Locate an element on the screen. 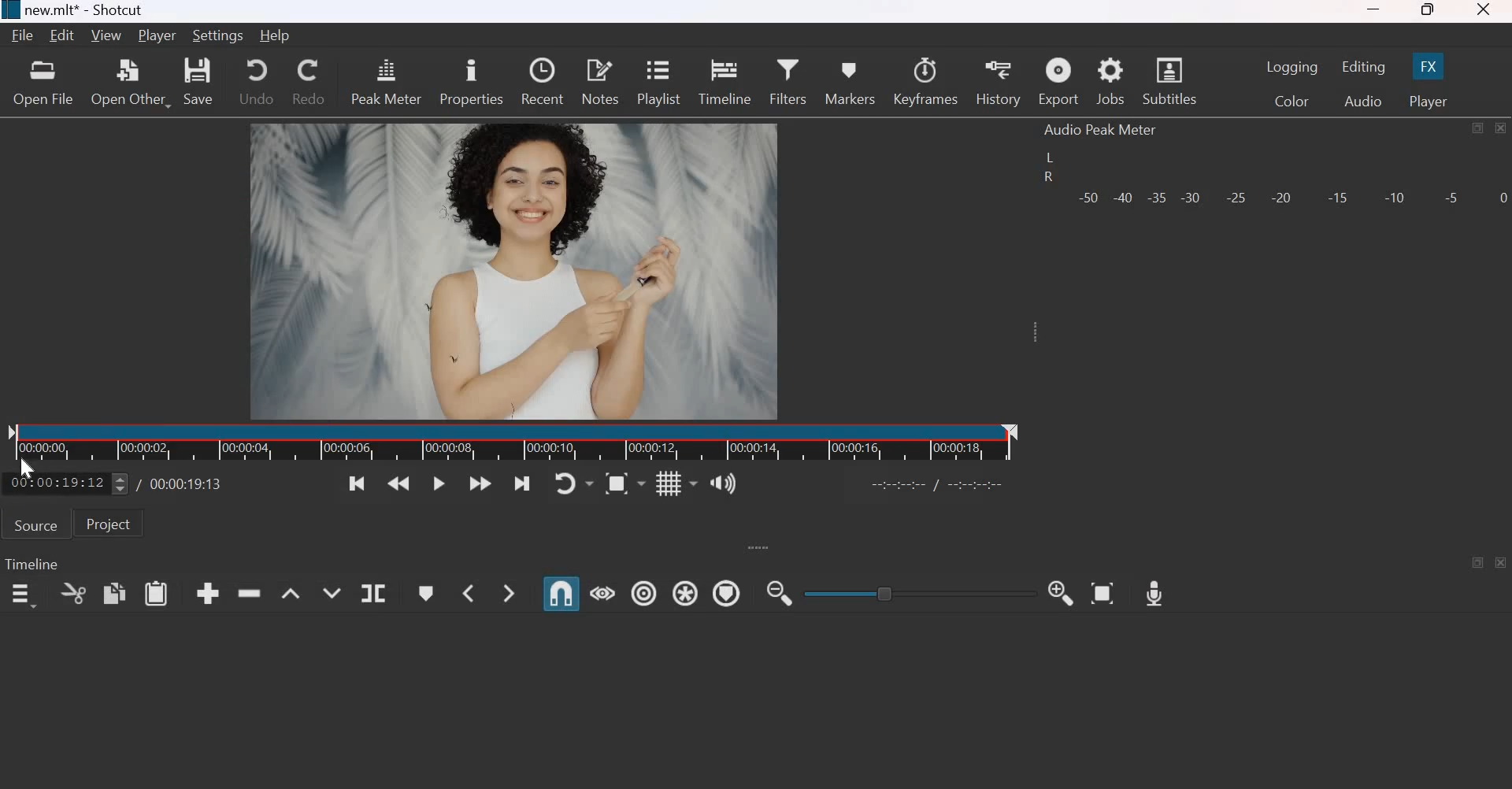 Image resolution: width=1512 pixels, height=789 pixels. new.mlt - Shotcut is located at coordinates (89, 10).